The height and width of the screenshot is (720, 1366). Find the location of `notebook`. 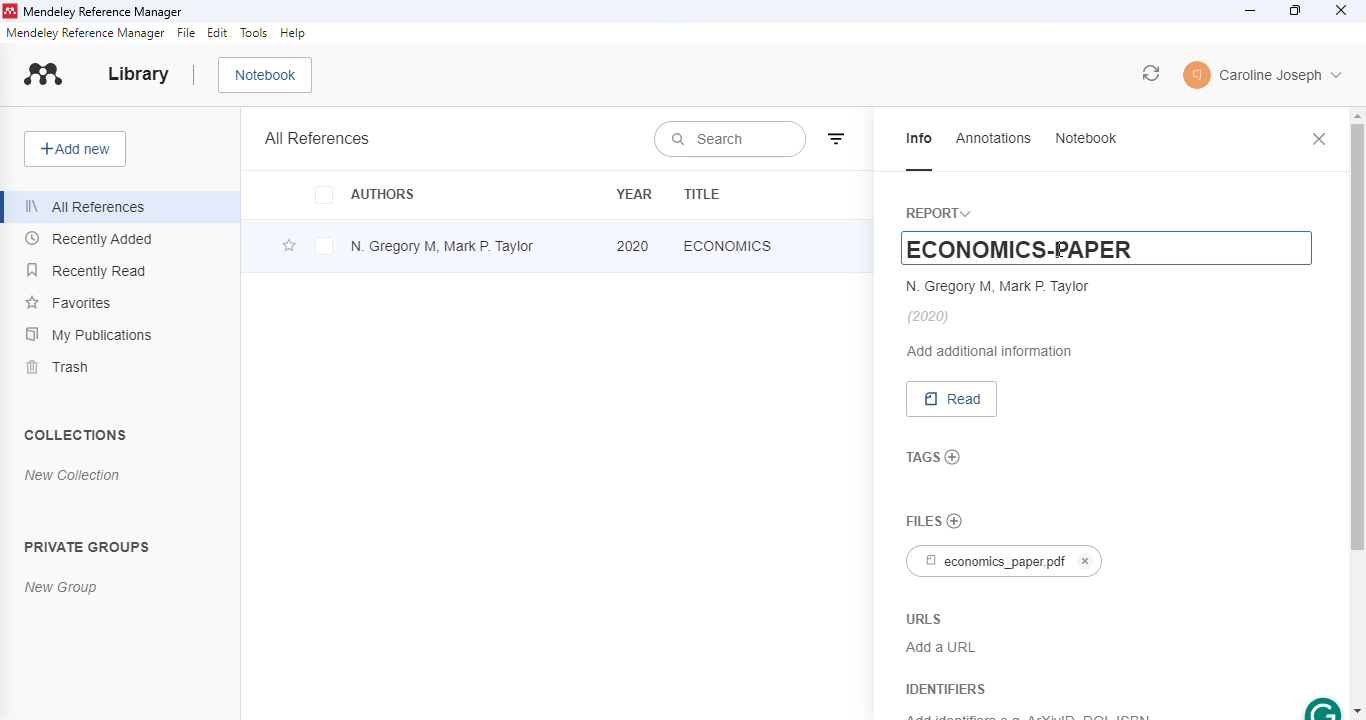

notebook is located at coordinates (265, 75).